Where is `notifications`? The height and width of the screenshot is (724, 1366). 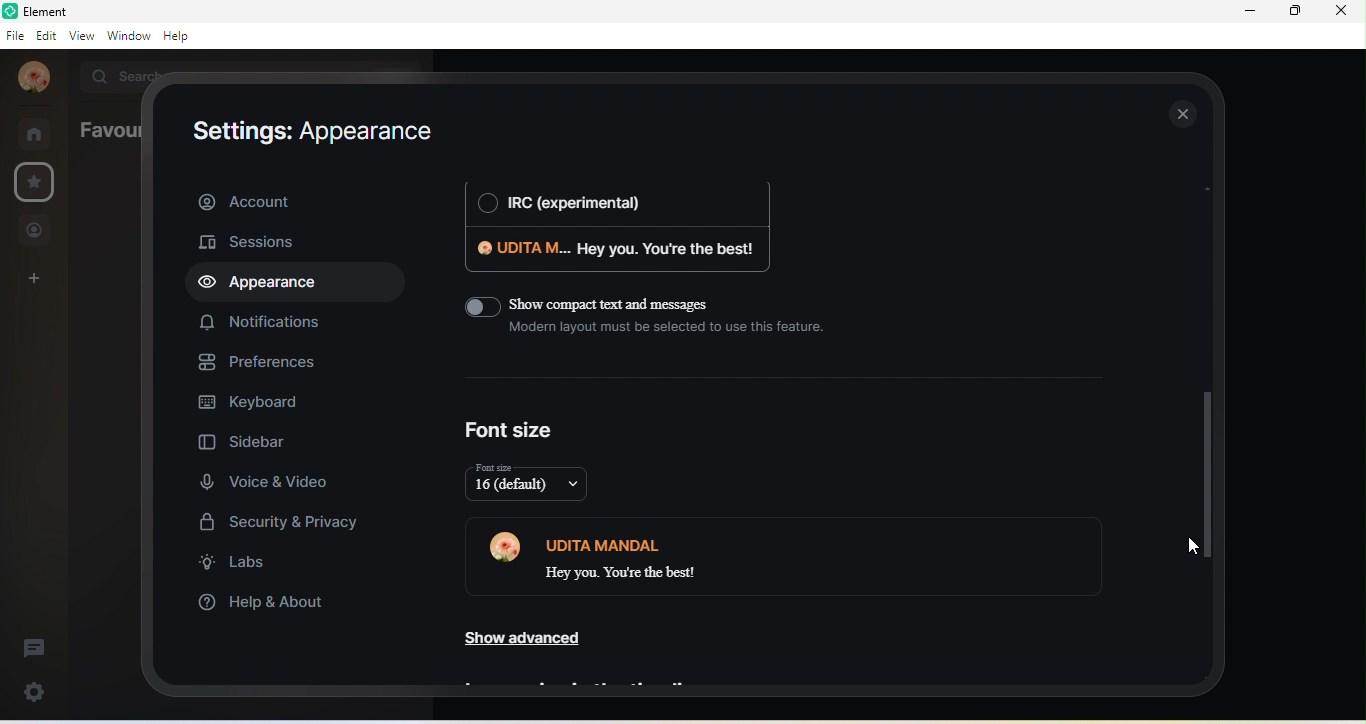
notifications is located at coordinates (260, 325).